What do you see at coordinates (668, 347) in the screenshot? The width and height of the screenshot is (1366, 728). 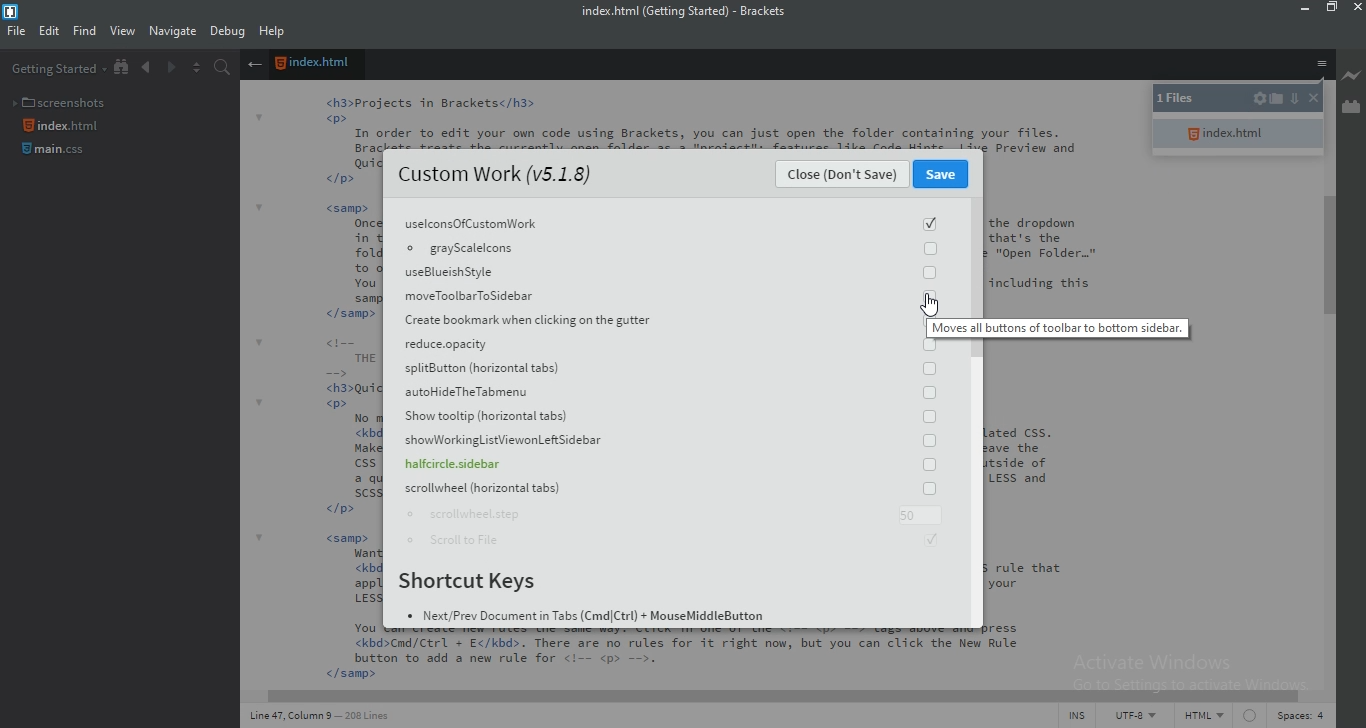 I see `reduce.apacity ` at bounding box center [668, 347].